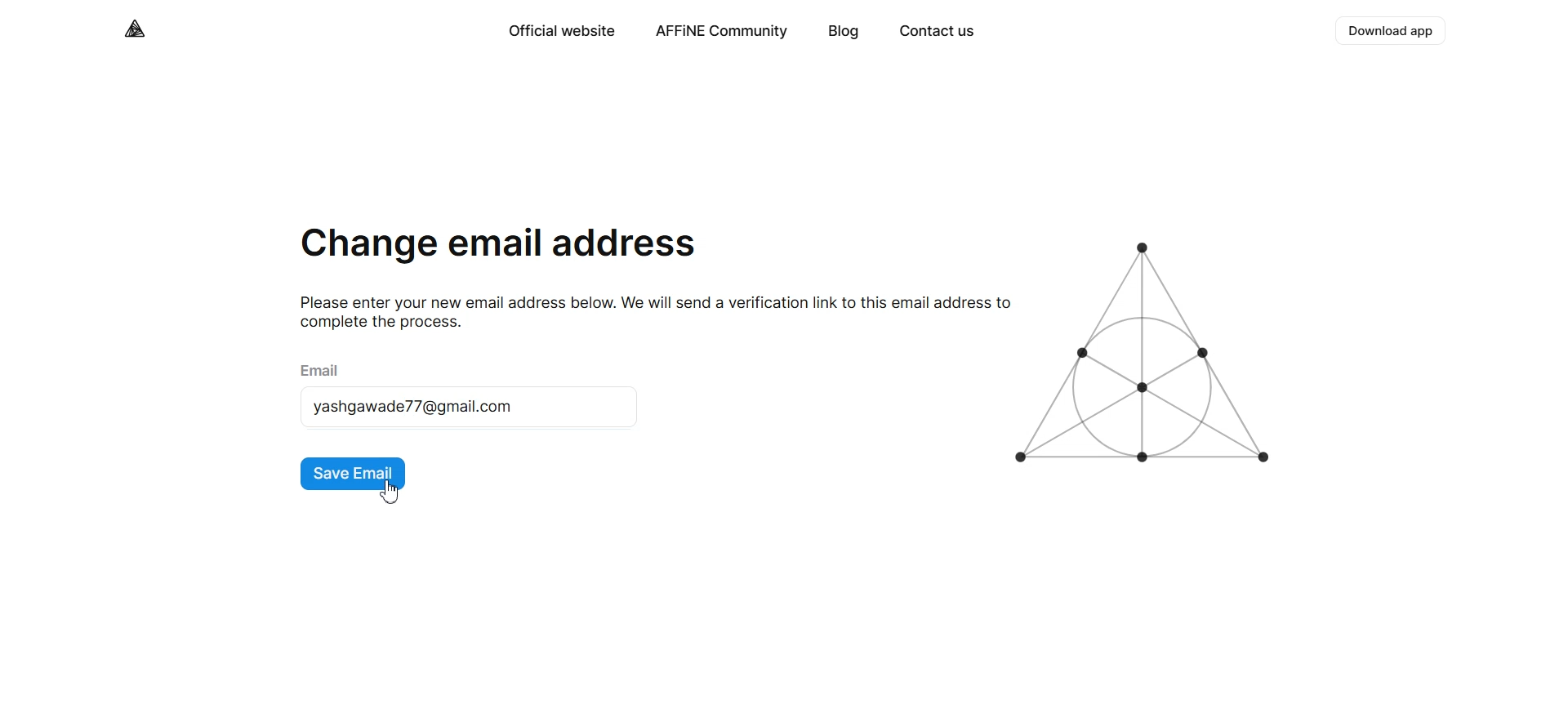 The image size is (1568, 709). I want to click on Cursor, so click(390, 491).